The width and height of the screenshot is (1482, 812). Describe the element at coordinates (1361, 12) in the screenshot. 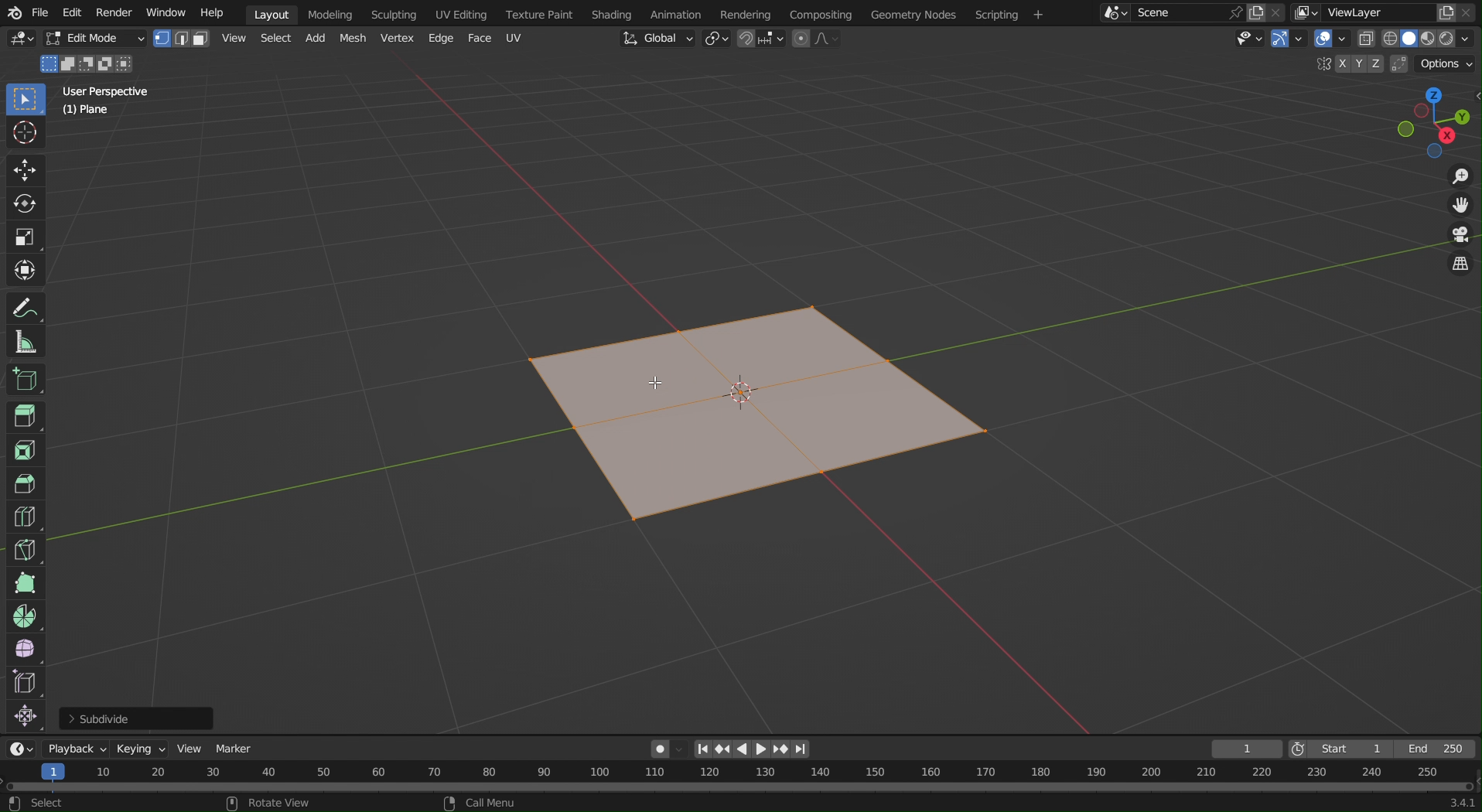

I see `View Layer` at that location.